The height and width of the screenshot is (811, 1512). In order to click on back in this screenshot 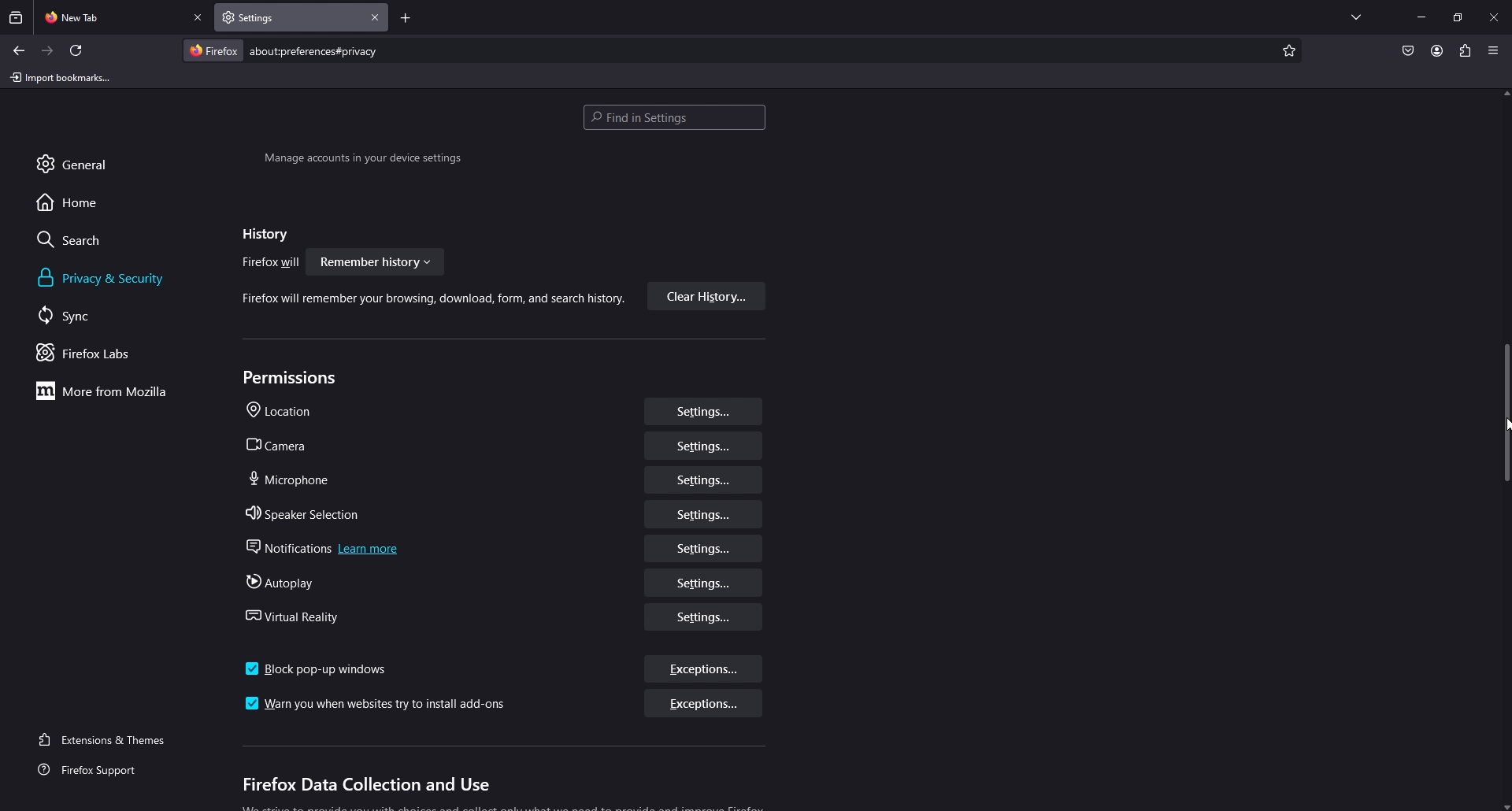, I will do `click(18, 50)`.